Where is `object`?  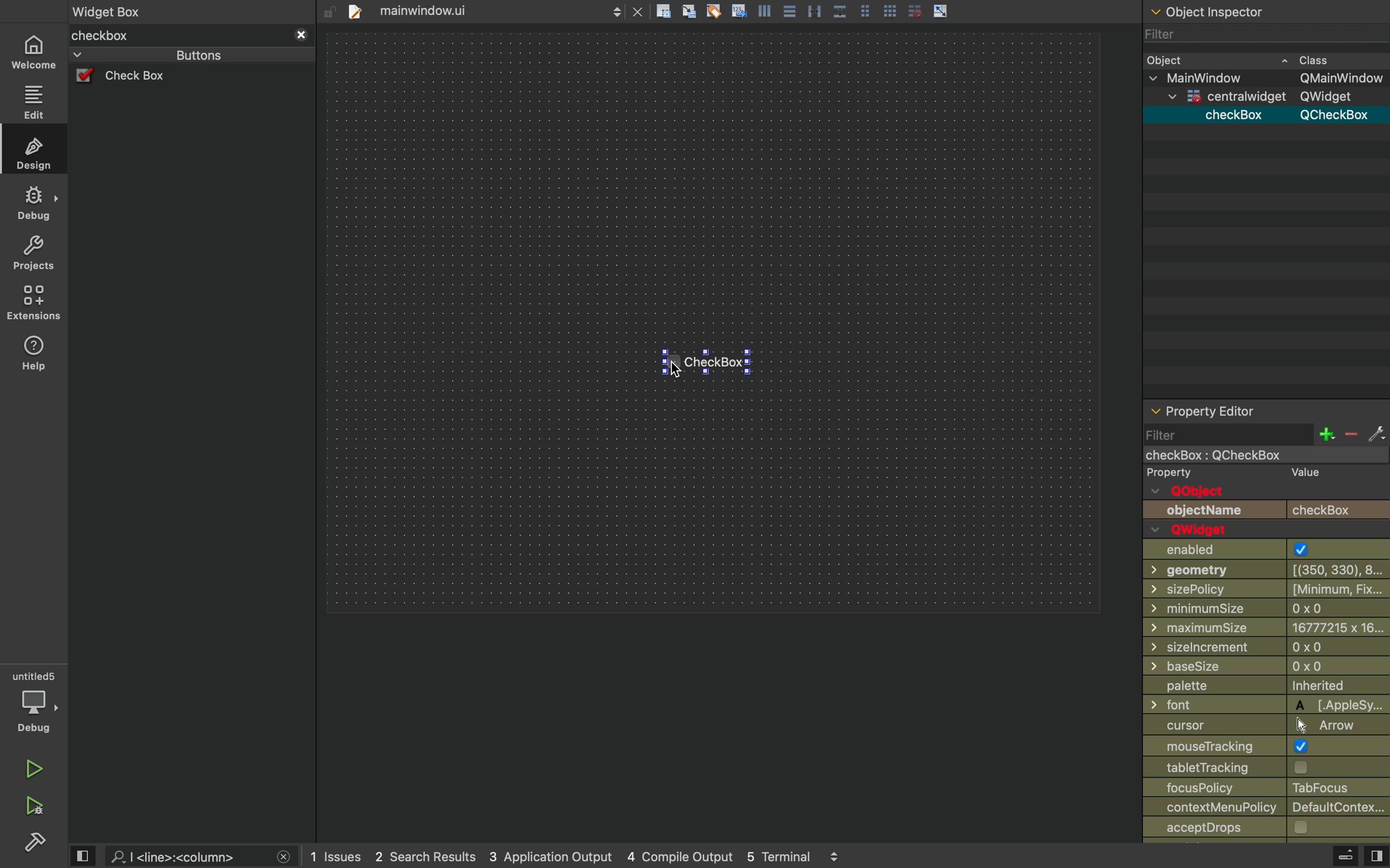 object is located at coordinates (1249, 59).